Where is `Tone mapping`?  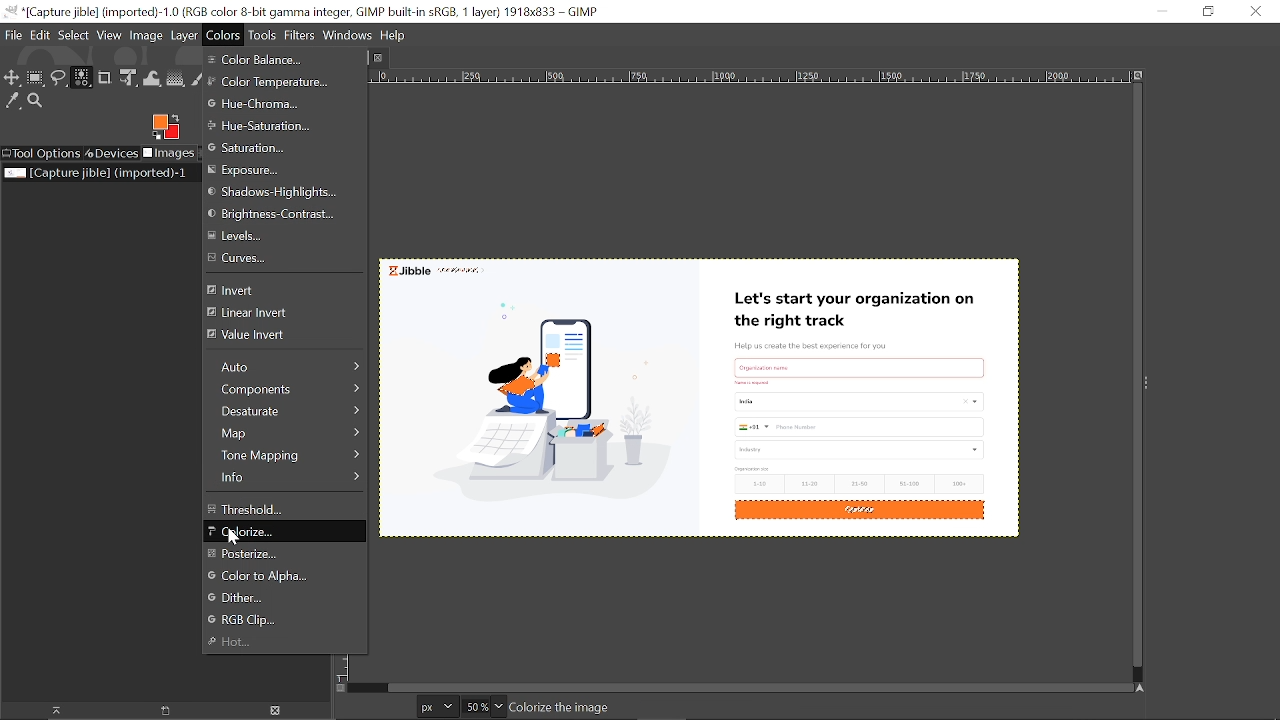 Tone mapping is located at coordinates (287, 454).